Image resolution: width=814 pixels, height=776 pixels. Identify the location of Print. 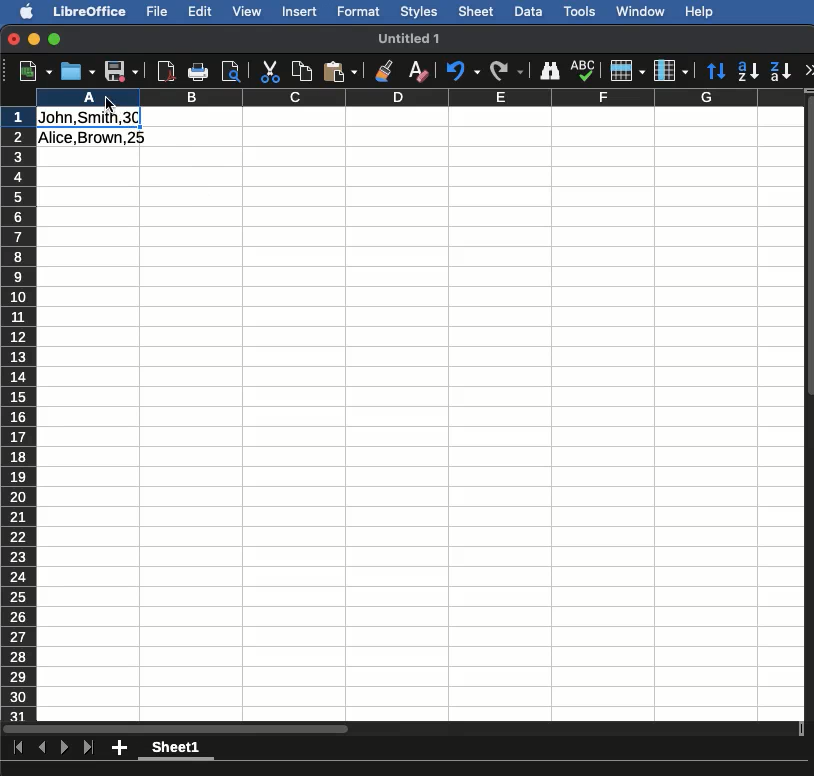
(197, 69).